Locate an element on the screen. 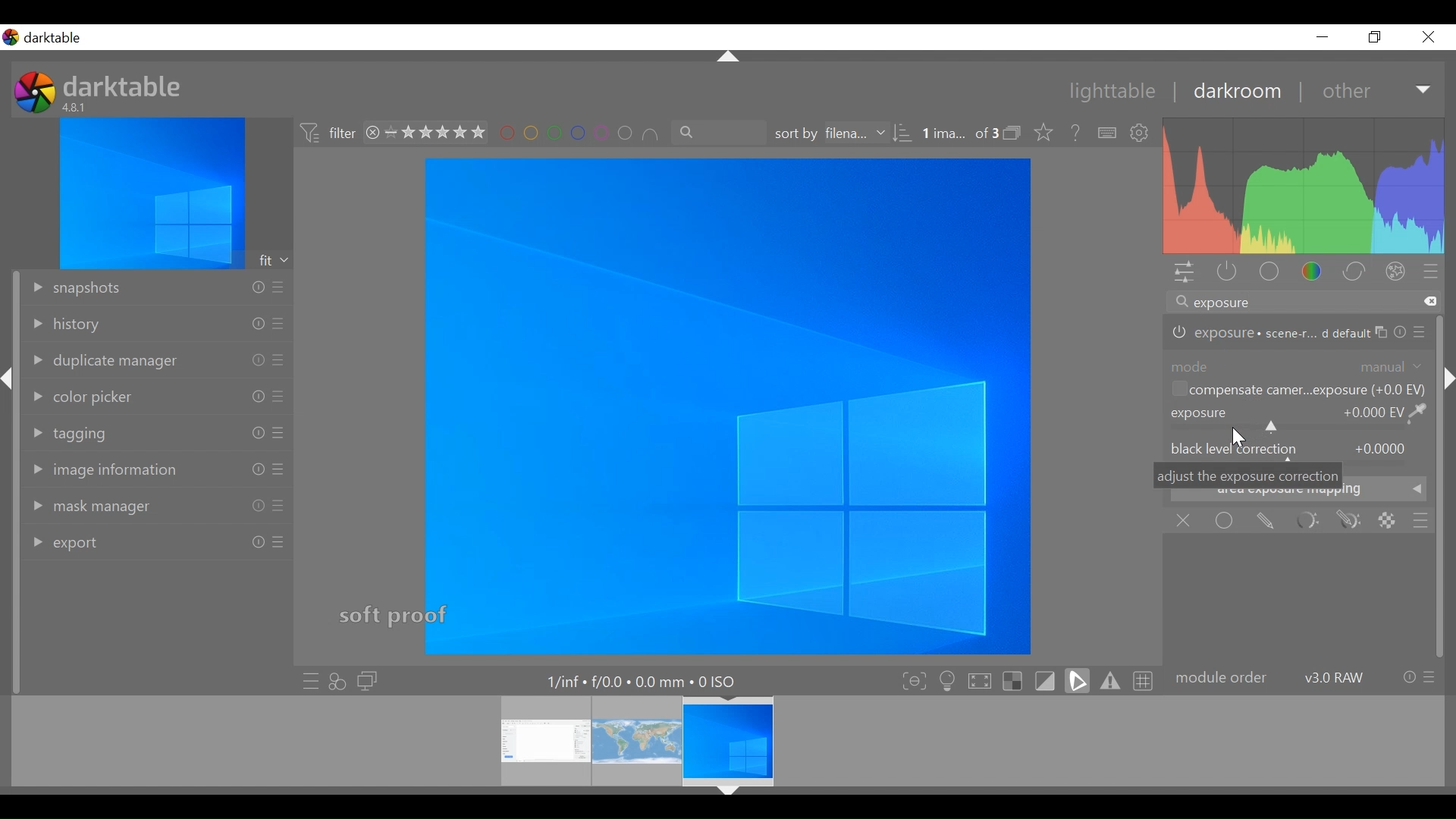  info is located at coordinates (1401, 333).